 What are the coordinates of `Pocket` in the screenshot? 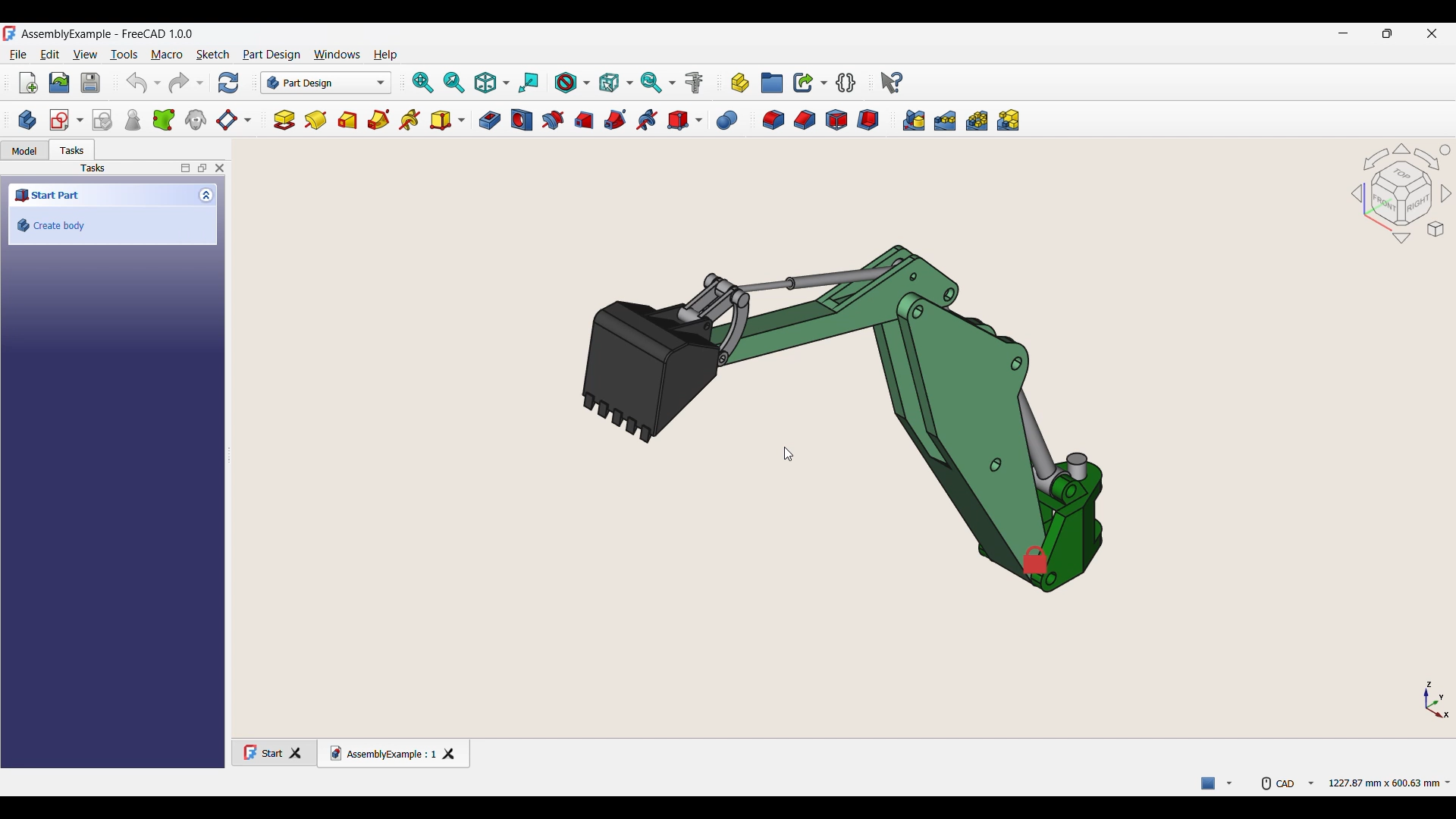 It's located at (491, 120).